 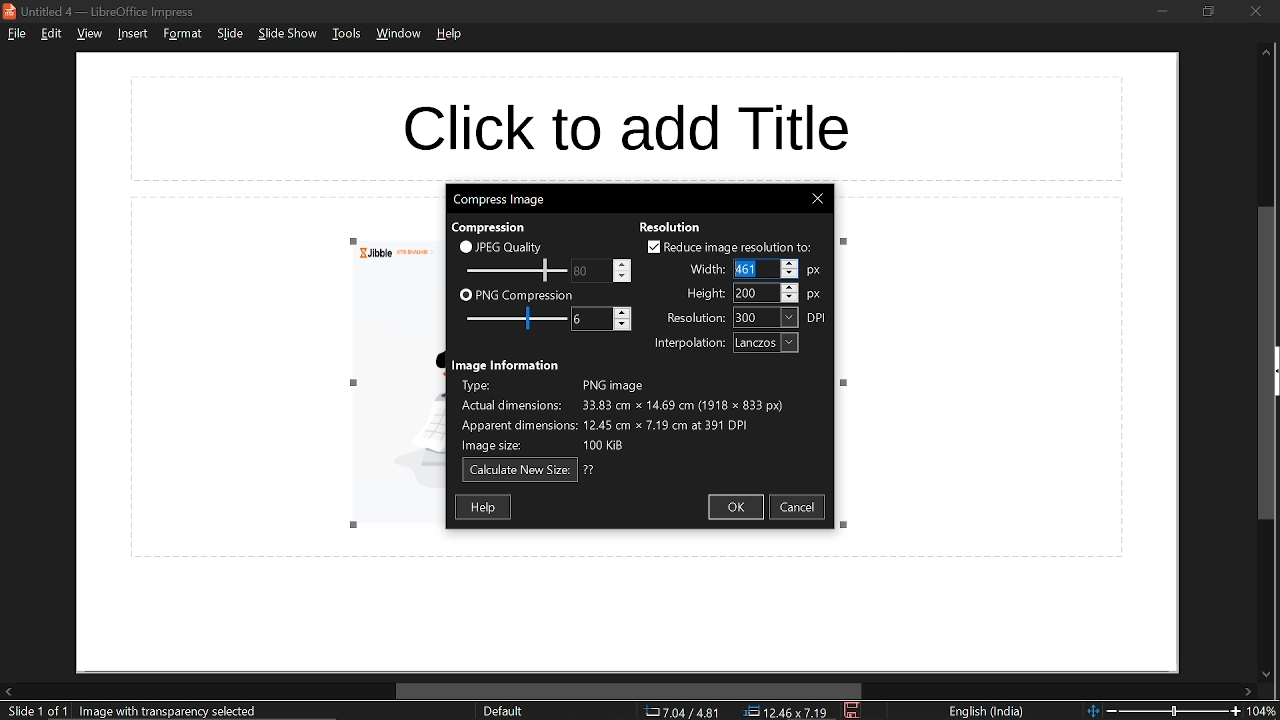 What do you see at coordinates (623, 326) in the screenshot?
I see `Decrease ` at bounding box center [623, 326].